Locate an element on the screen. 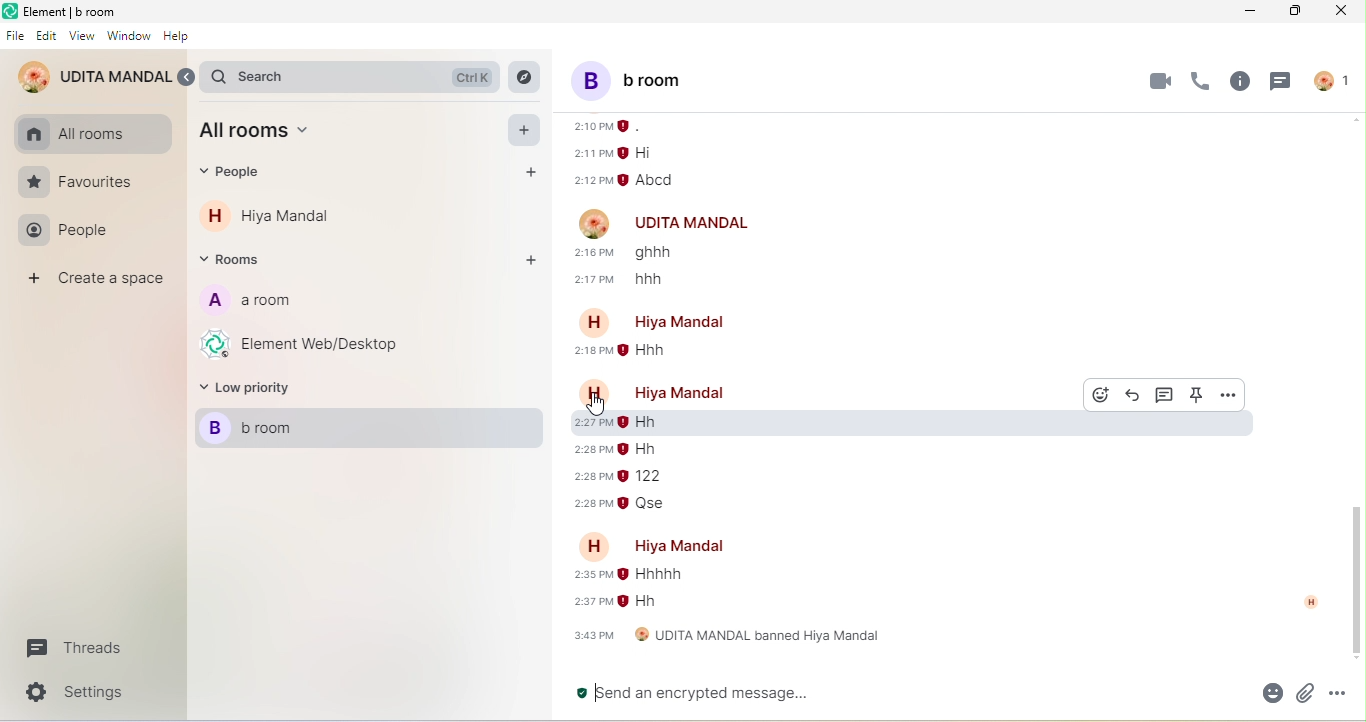 This screenshot has height=722, width=1366. voice call is located at coordinates (1200, 82).